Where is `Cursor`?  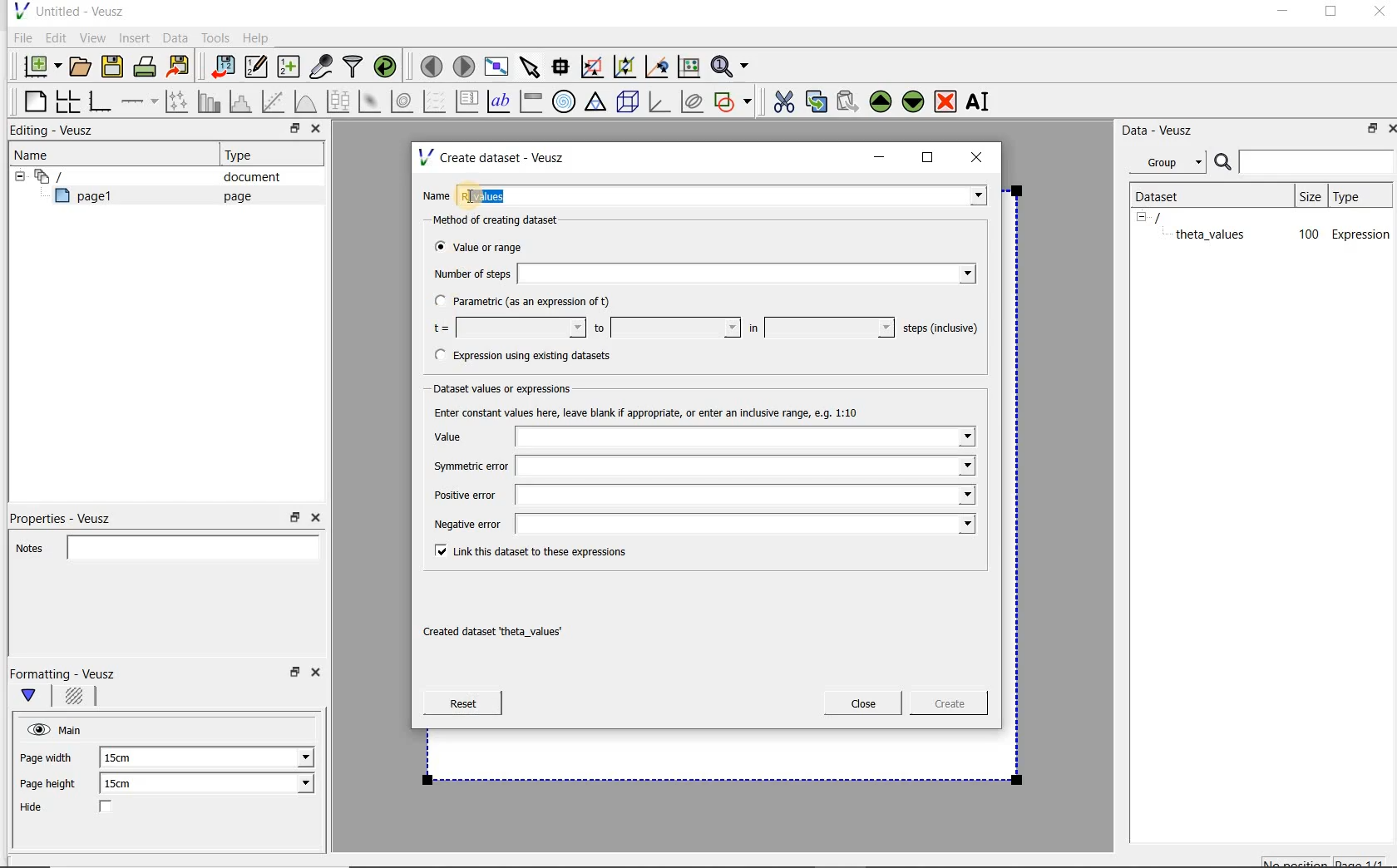
Cursor is located at coordinates (491, 192).